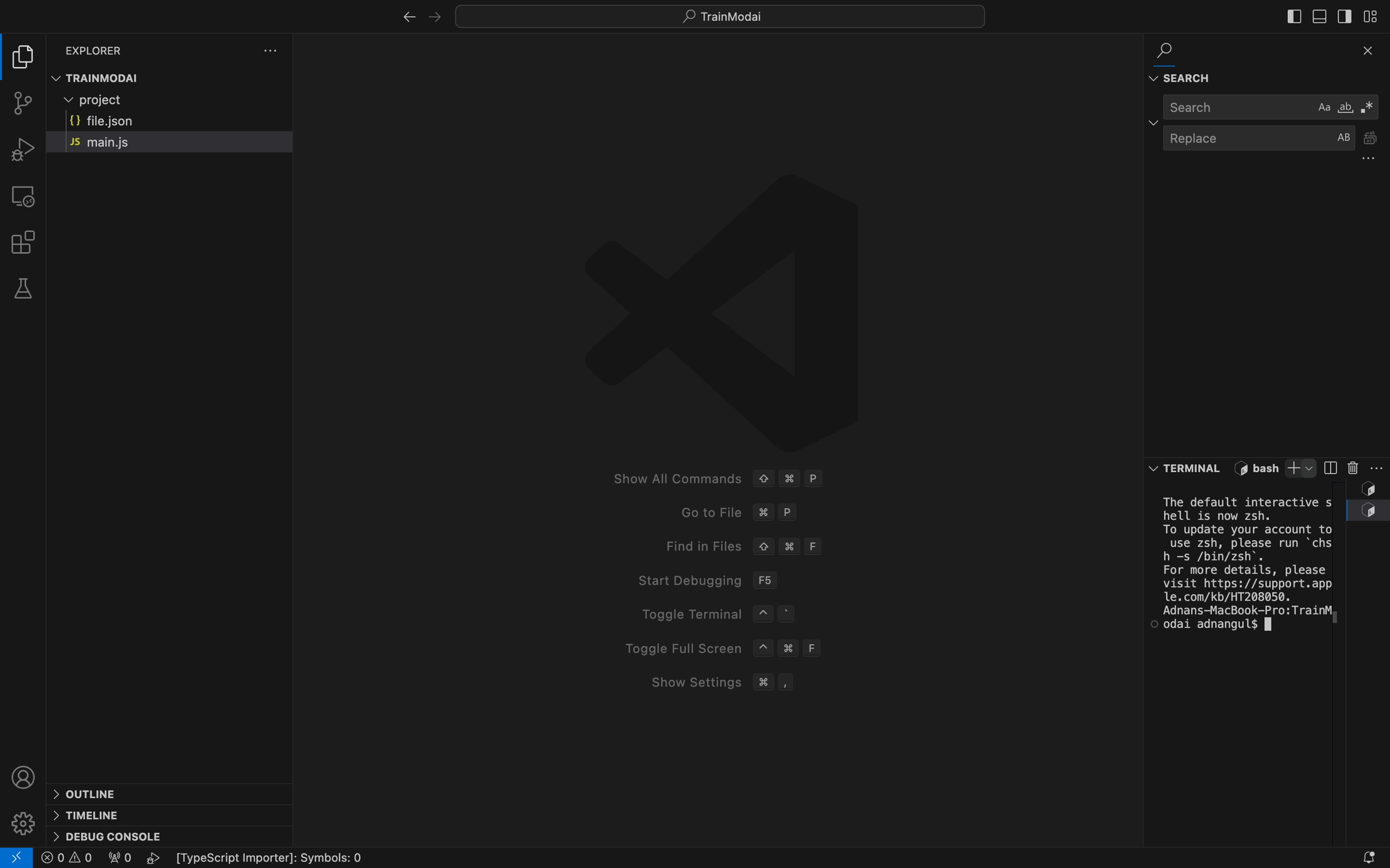  I want to click on Flg, so click(118, 859).